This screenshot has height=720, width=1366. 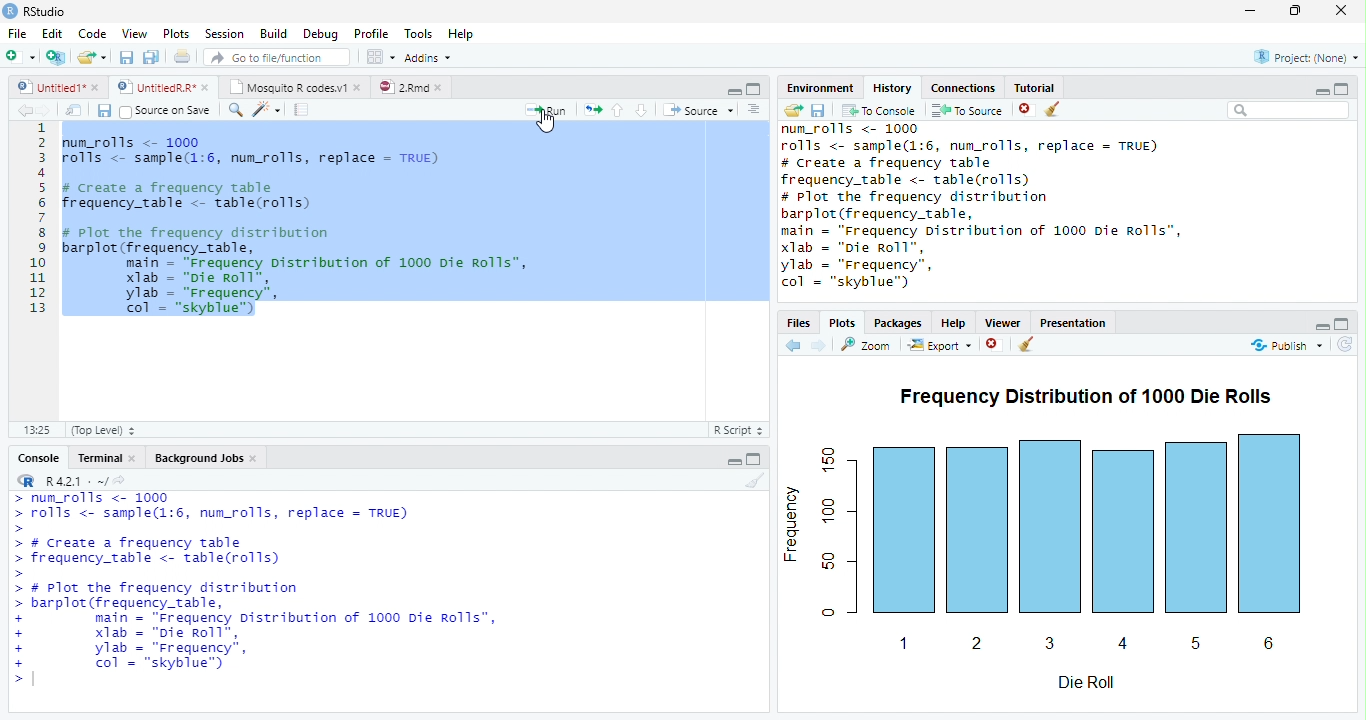 What do you see at coordinates (76, 110) in the screenshot?
I see `Show in new window` at bounding box center [76, 110].